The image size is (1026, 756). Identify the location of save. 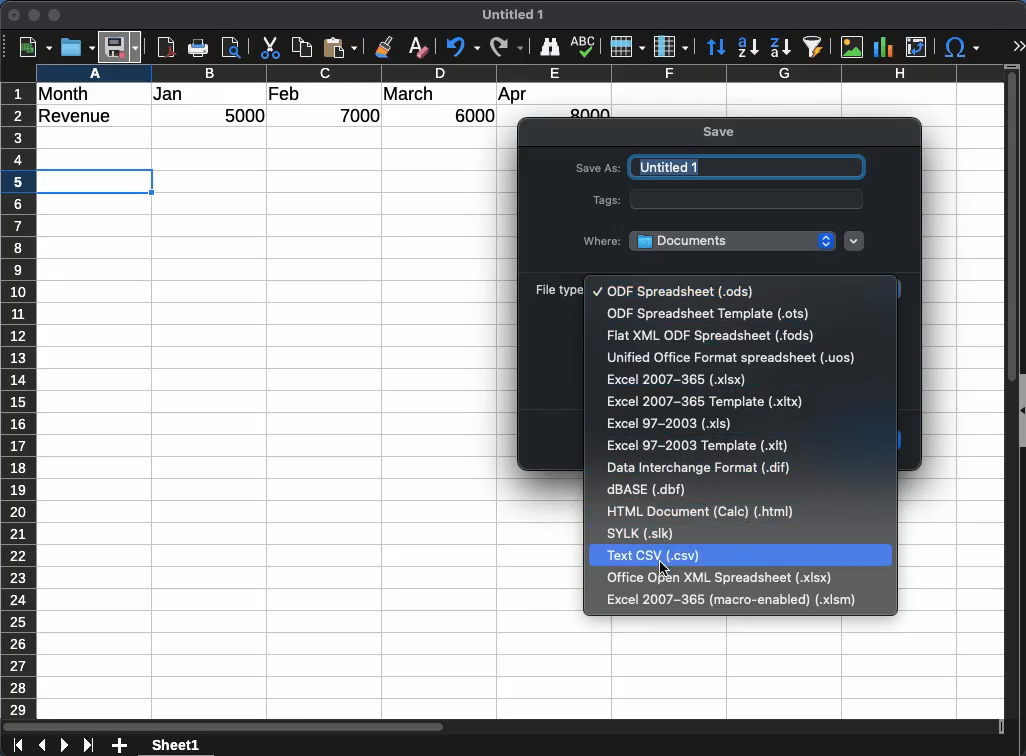
(721, 133).